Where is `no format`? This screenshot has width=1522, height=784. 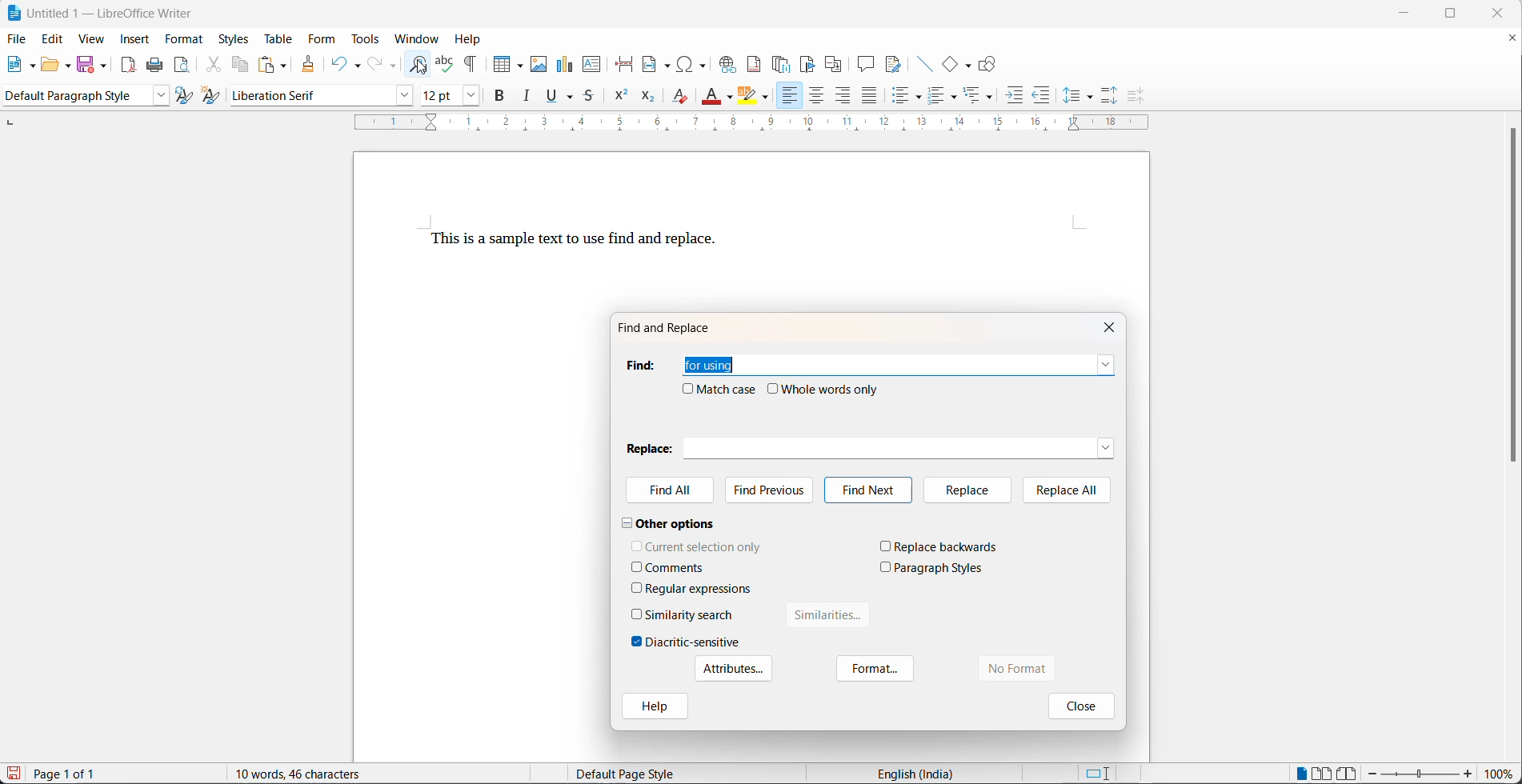
no format is located at coordinates (1034, 669).